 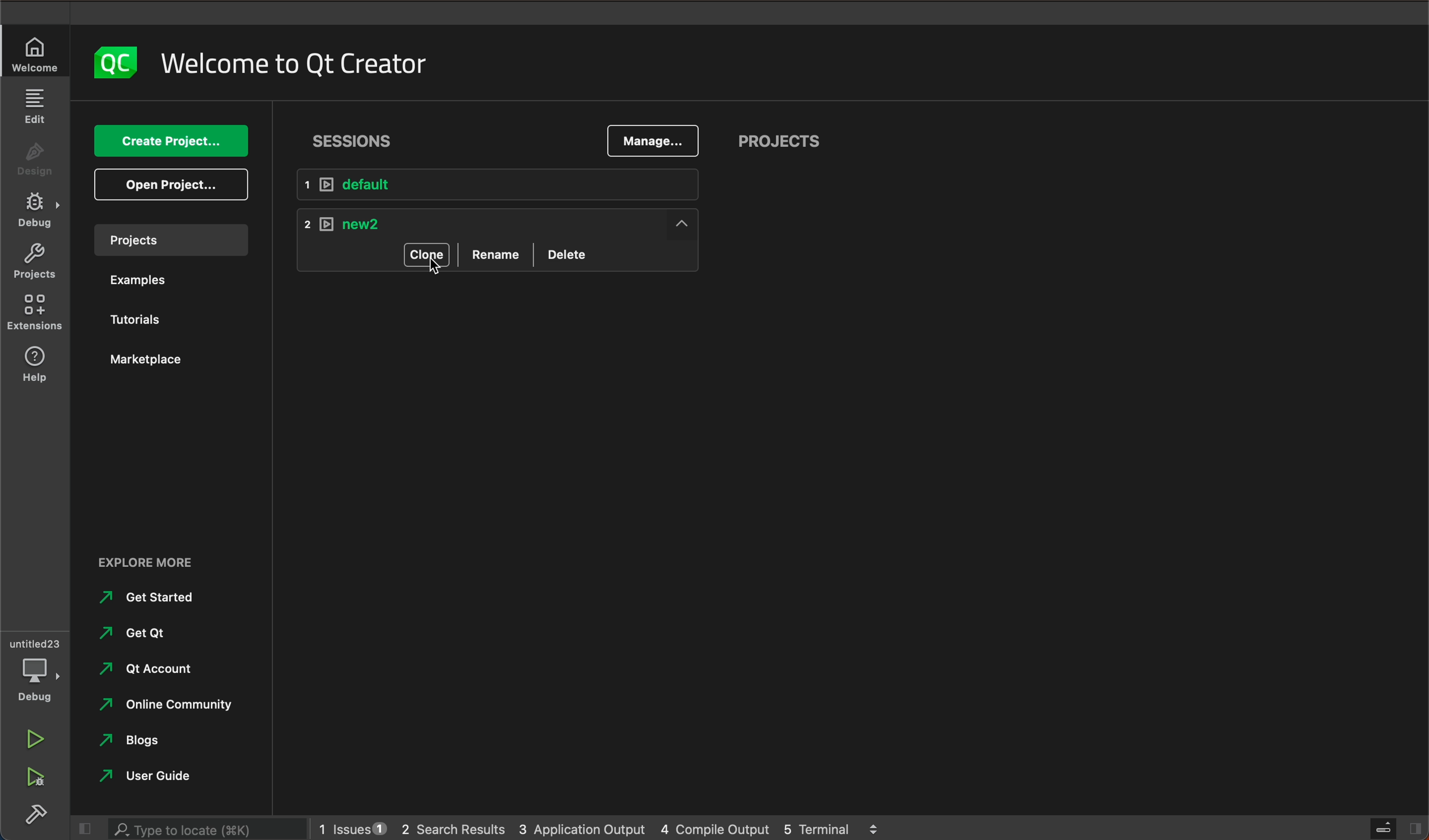 What do you see at coordinates (33, 55) in the screenshot?
I see `welcome` at bounding box center [33, 55].